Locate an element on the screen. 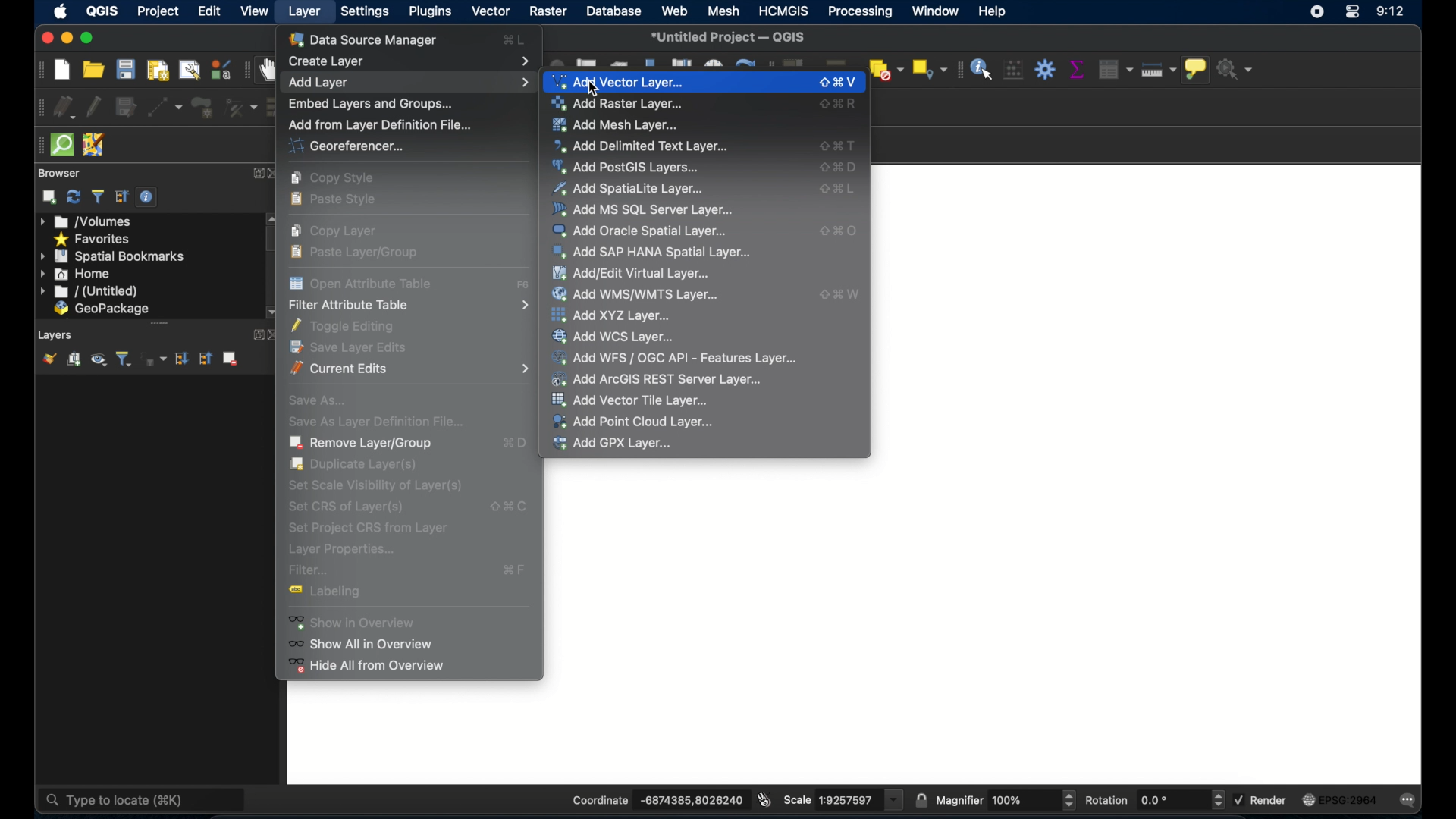  screen recorder icon is located at coordinates (1317, 11).